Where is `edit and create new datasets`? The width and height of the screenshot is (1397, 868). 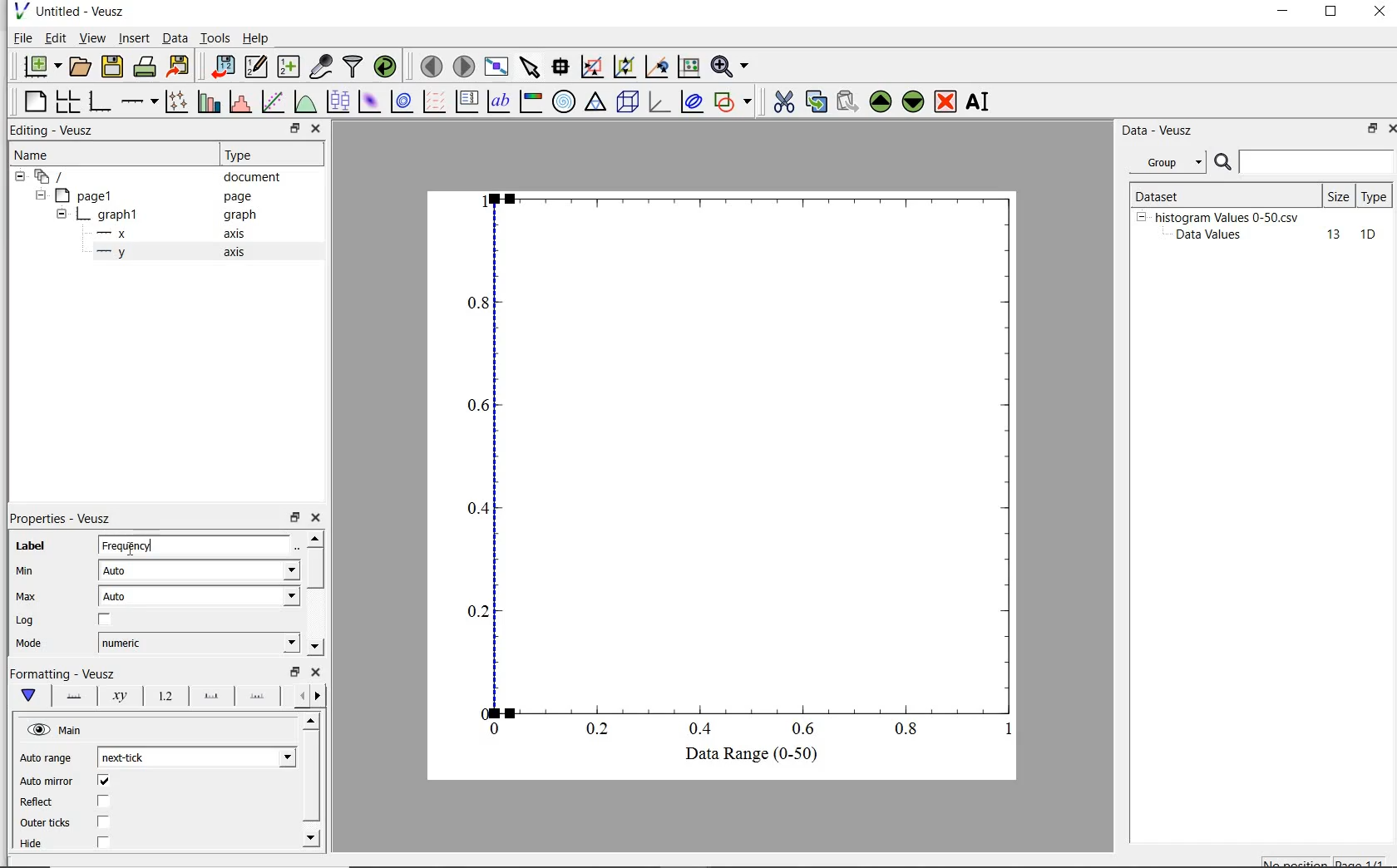 edit and create new datasets is located at coordinates (256, 66).